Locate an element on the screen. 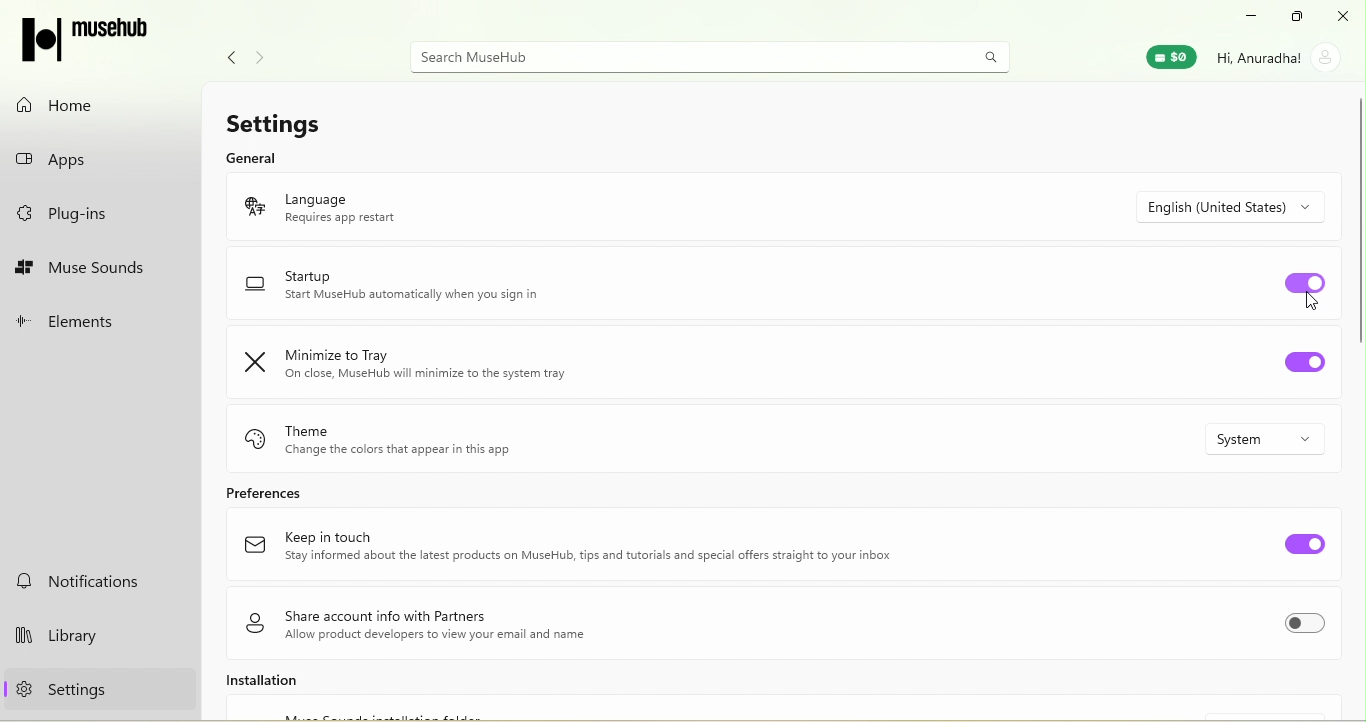  Toggle is located at coordinates (1304, 543).